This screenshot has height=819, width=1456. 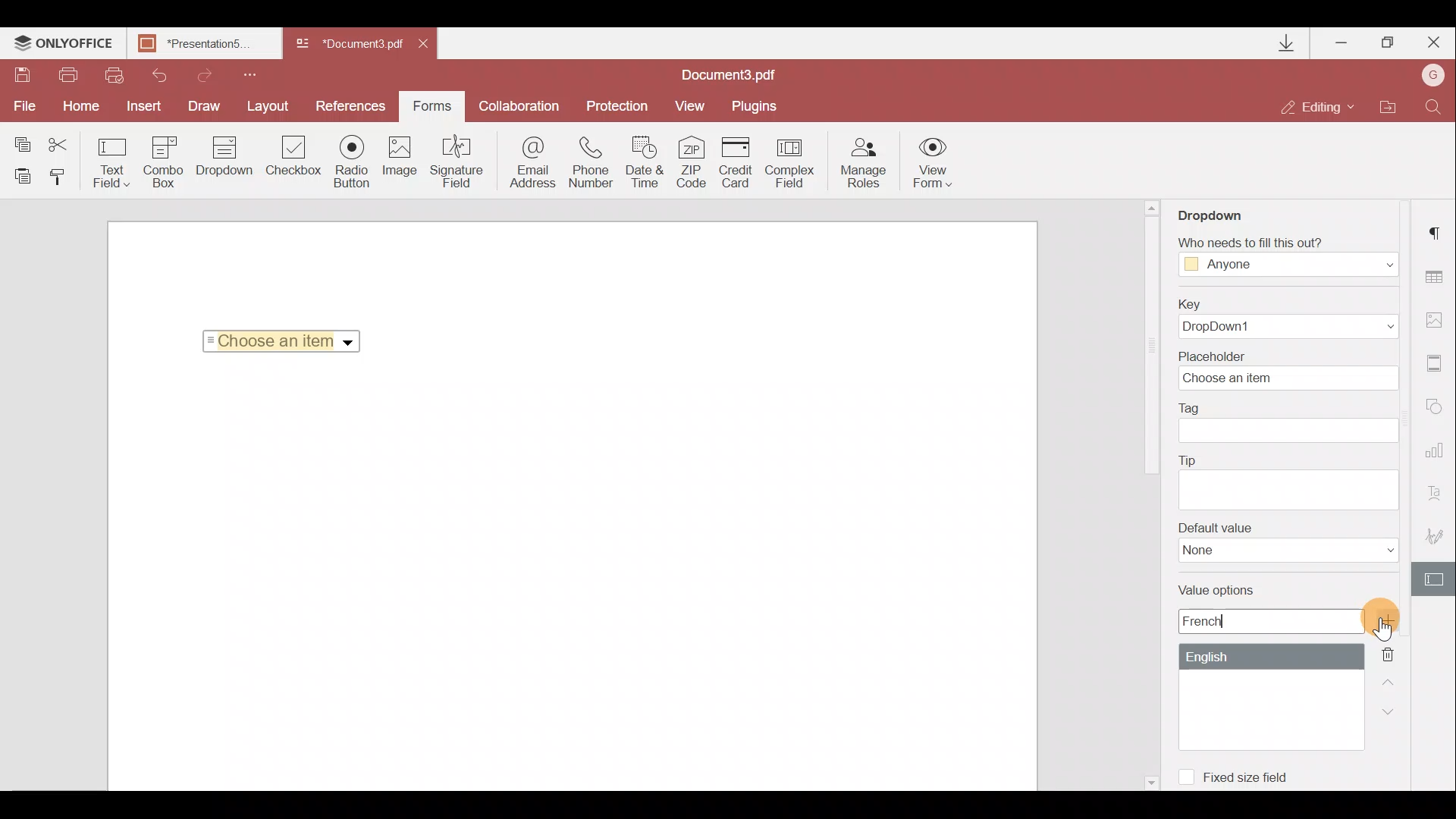 What do you see at coordinates (1394, 621) in the screenshot?
I see `Add new value` at bounding box center [1394, 621].